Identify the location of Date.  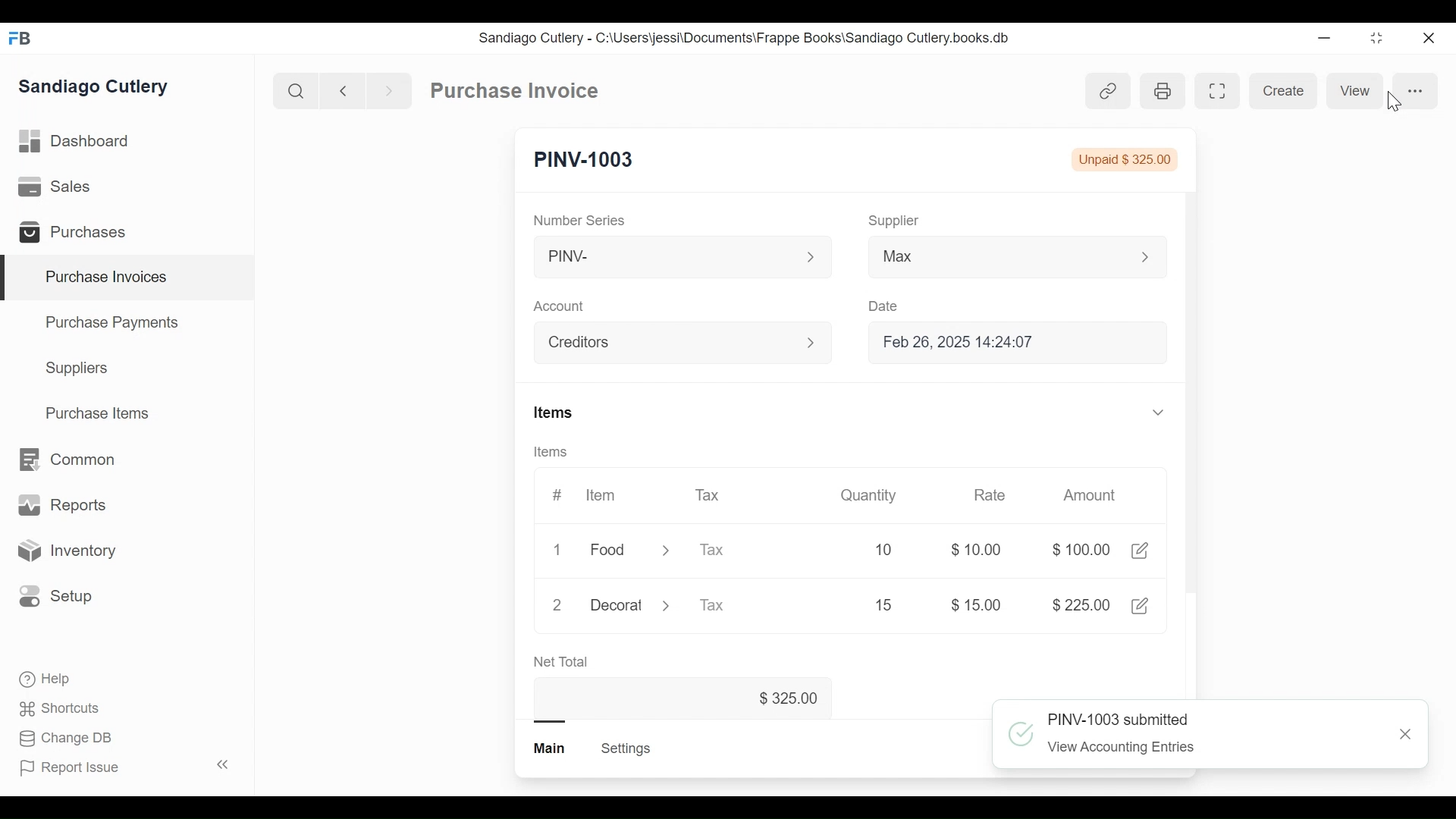
(884, 306).